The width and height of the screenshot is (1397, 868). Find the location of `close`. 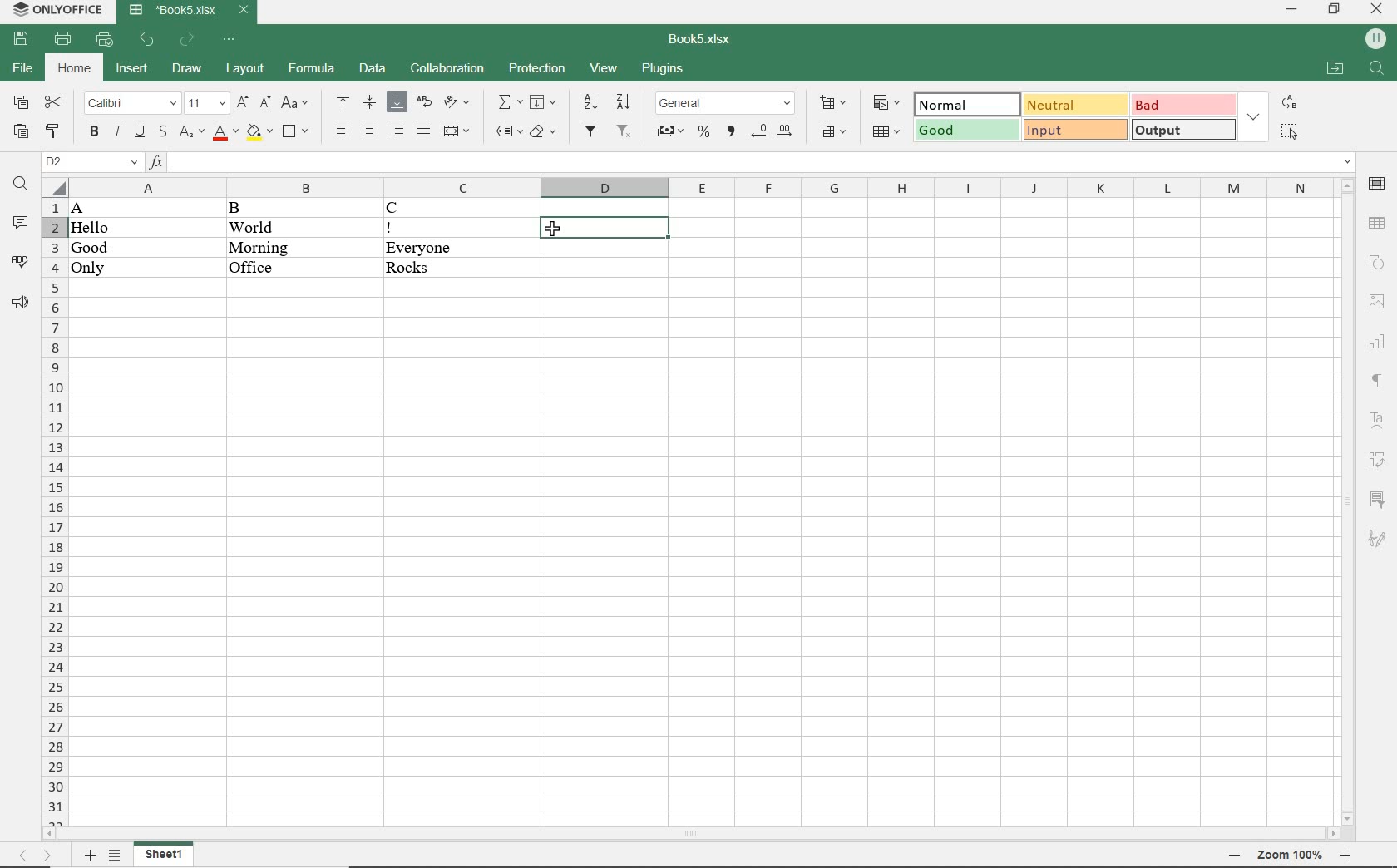

close is located at coordinates (1375, 11).